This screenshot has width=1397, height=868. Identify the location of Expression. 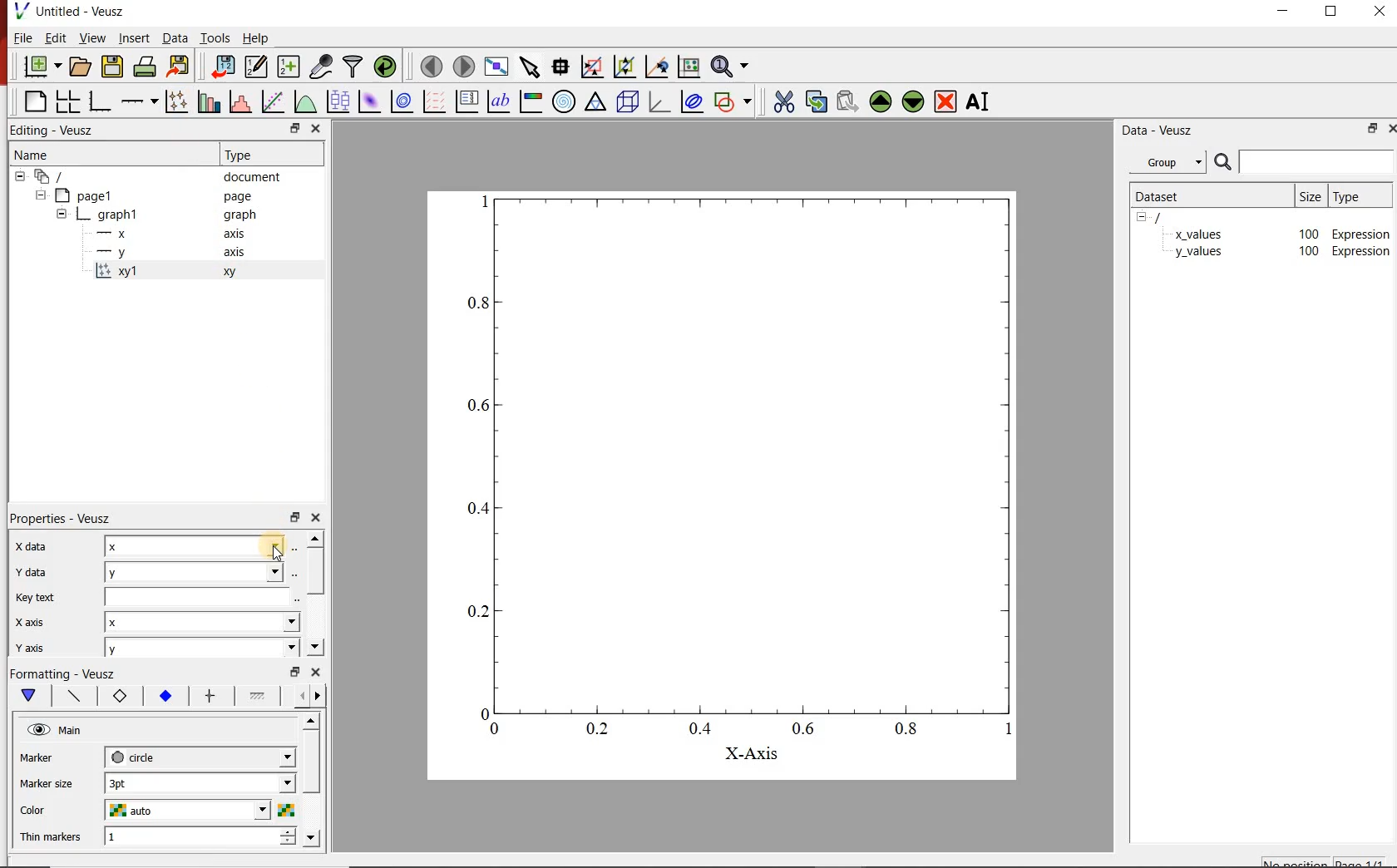
(1361, 252).